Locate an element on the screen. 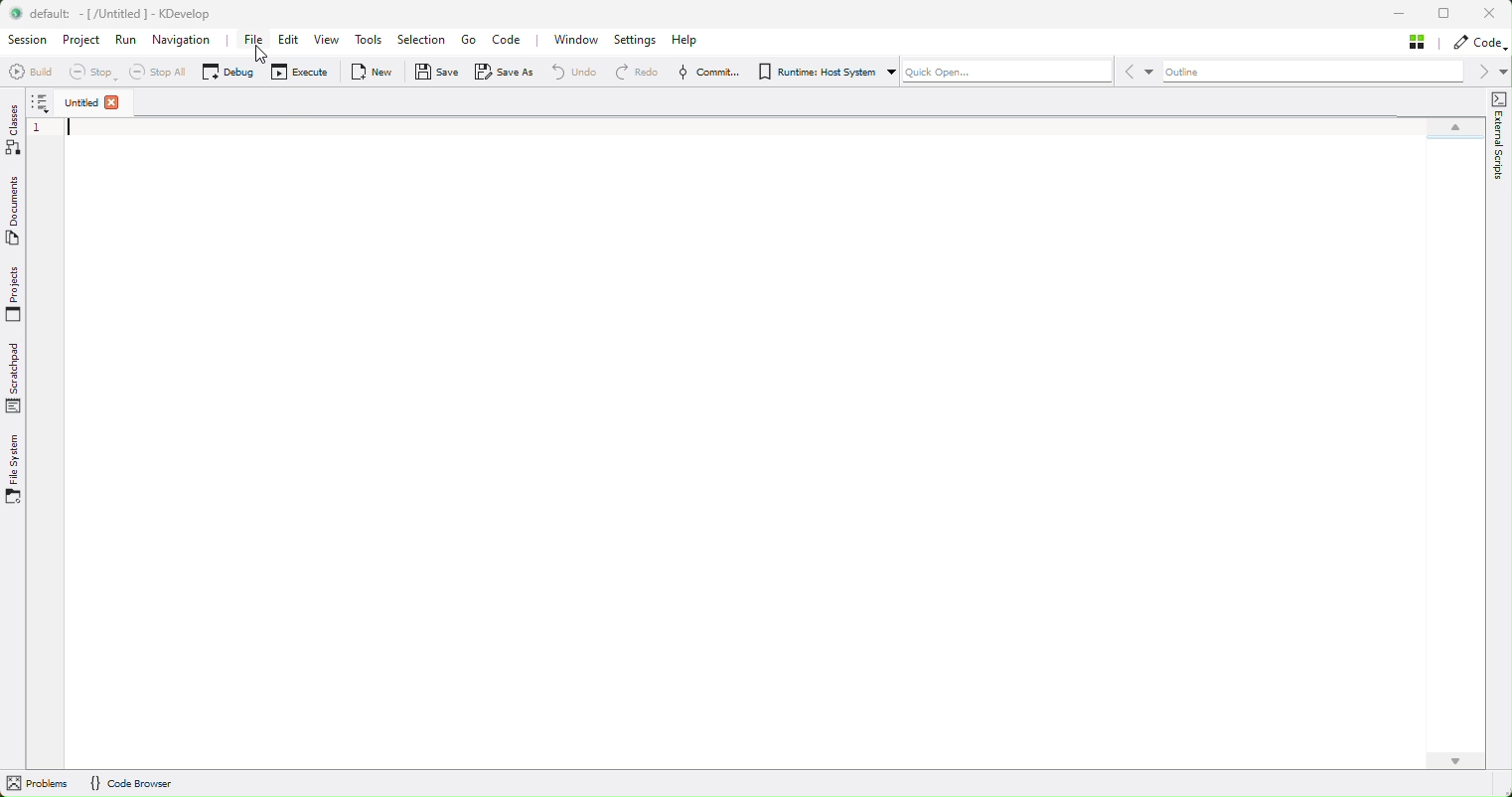 Image resolution: width=1512 pixels, height=797 pixels. logo is located at coordinates (14, 15).